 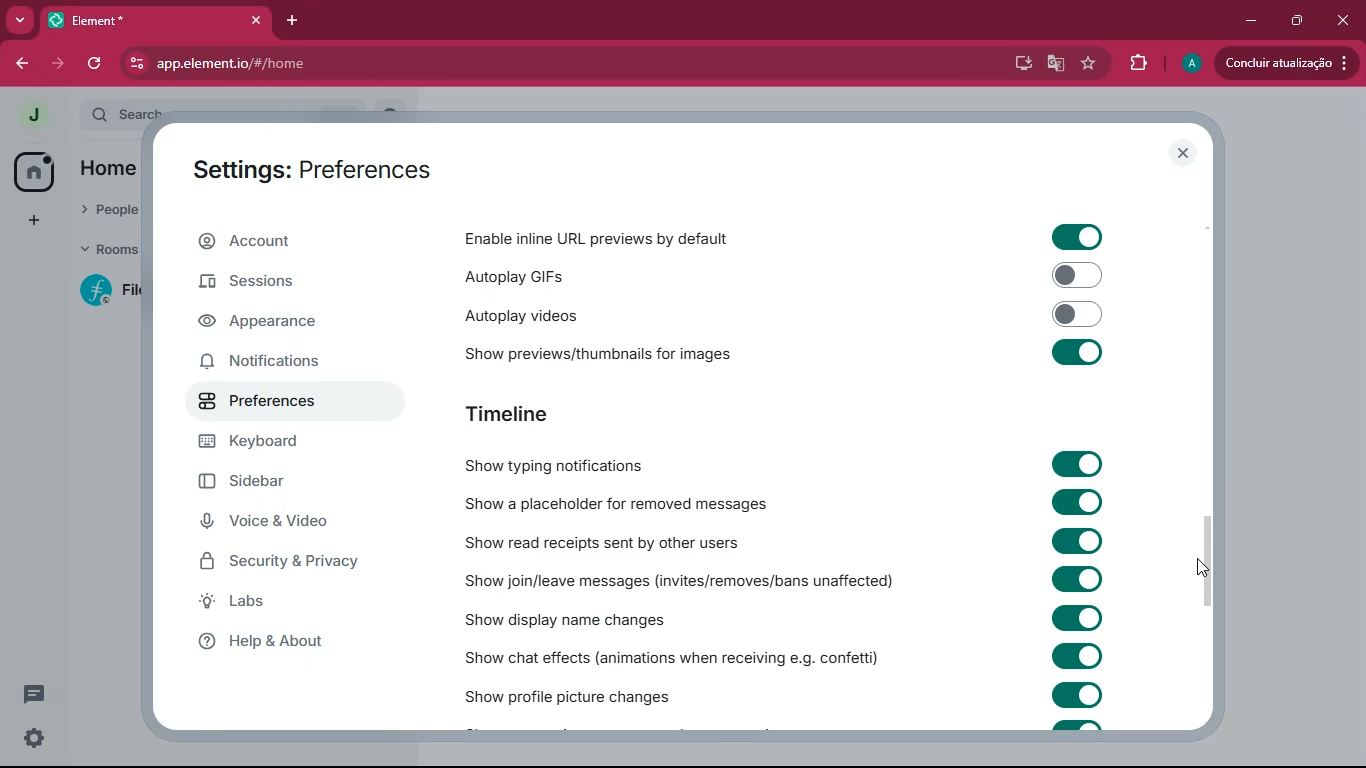 I want to click on toggle on/off, so click(x=1079, y=314).